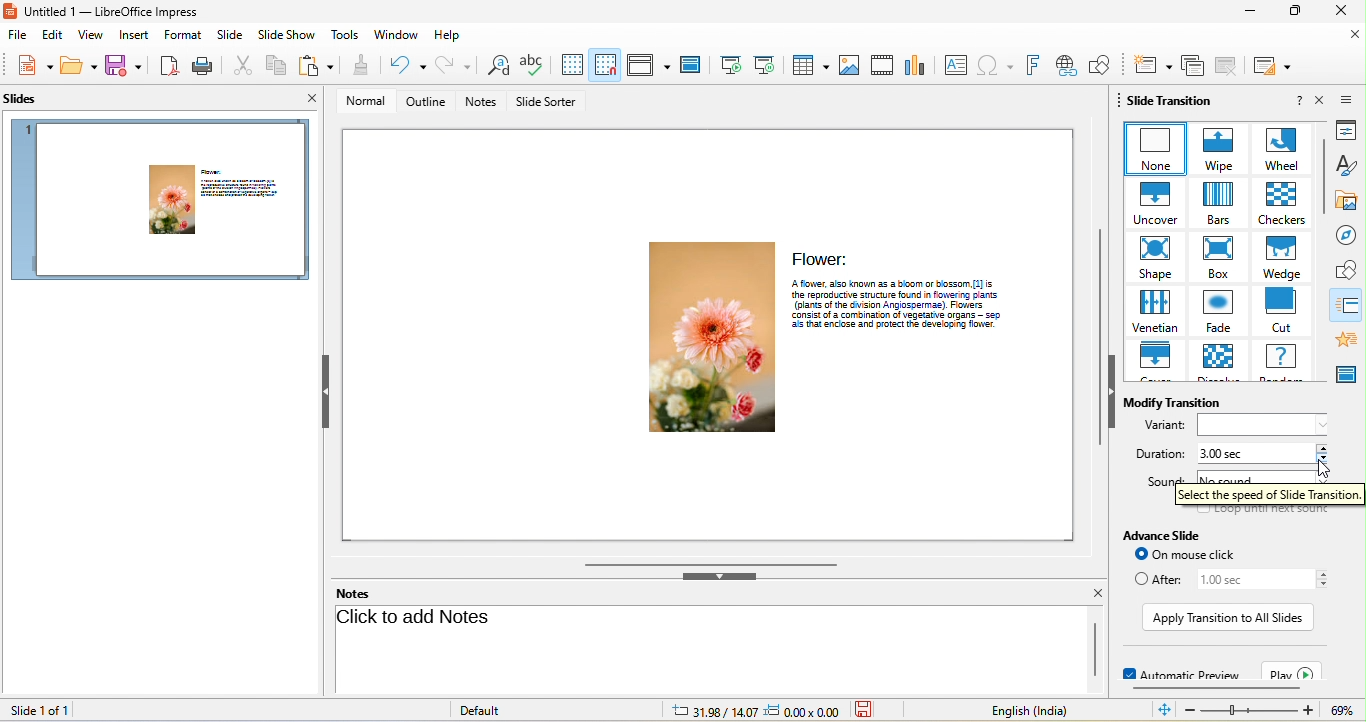 This screenshot has height=722, width=1366. What do you see at coordinates (1216, 362) in the screenshot?
I see `dissolve` at bounding box center [1216, 362].